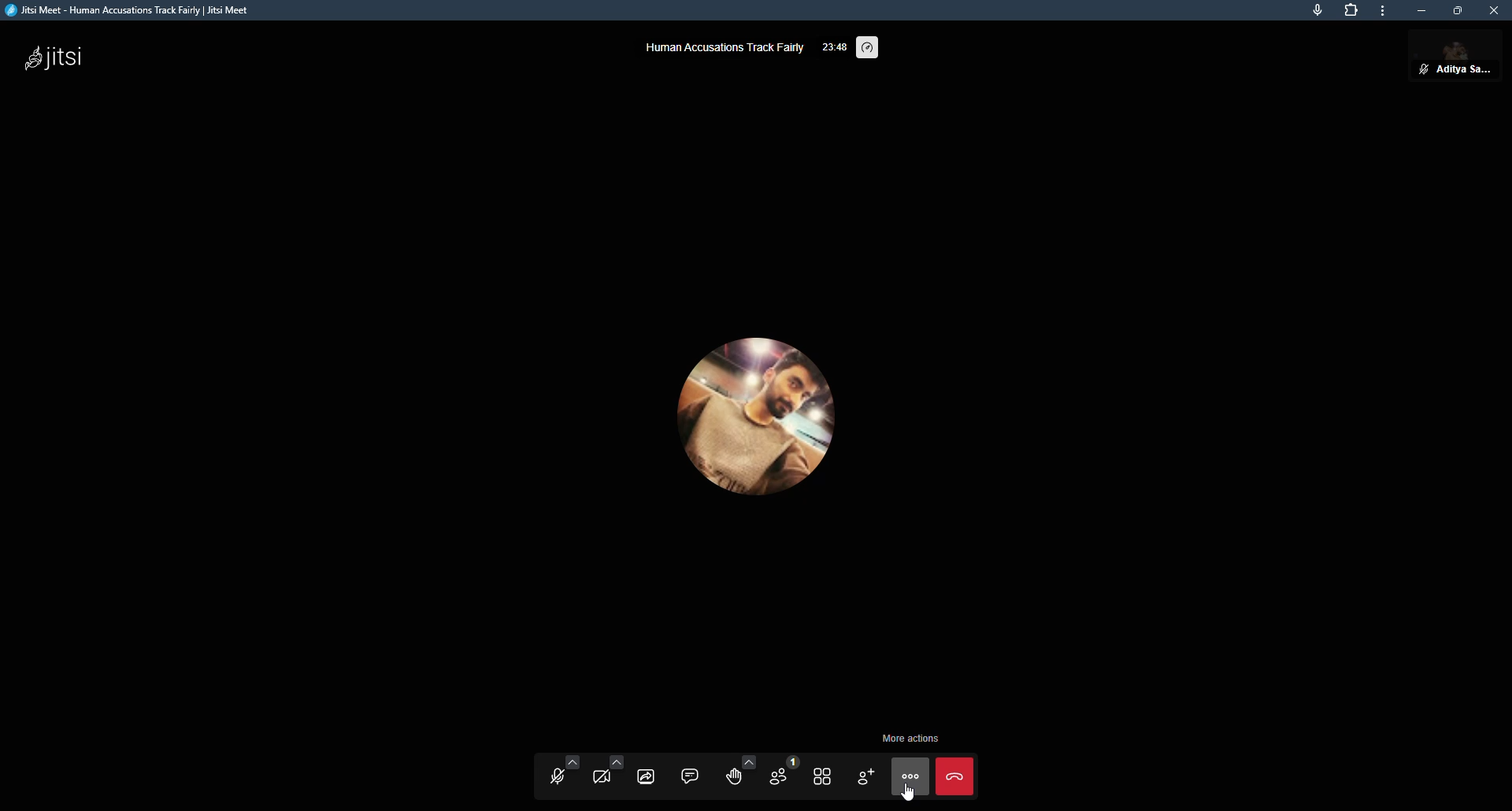 The image size is (1512, 811). I want to click on maximize, so click(1458, 10).